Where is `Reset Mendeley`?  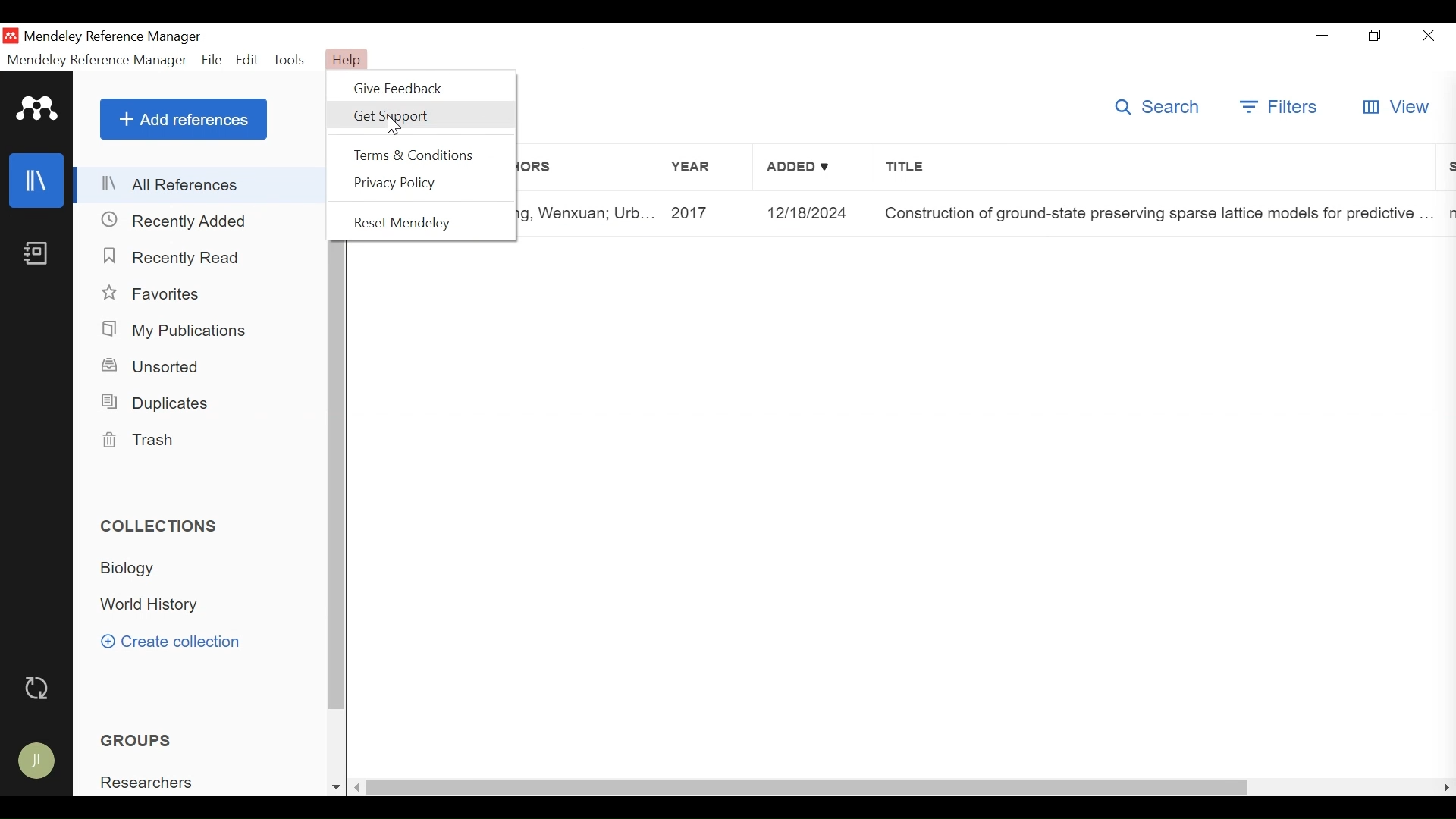 Reset Mendeley is located at coordinates (408, 223).